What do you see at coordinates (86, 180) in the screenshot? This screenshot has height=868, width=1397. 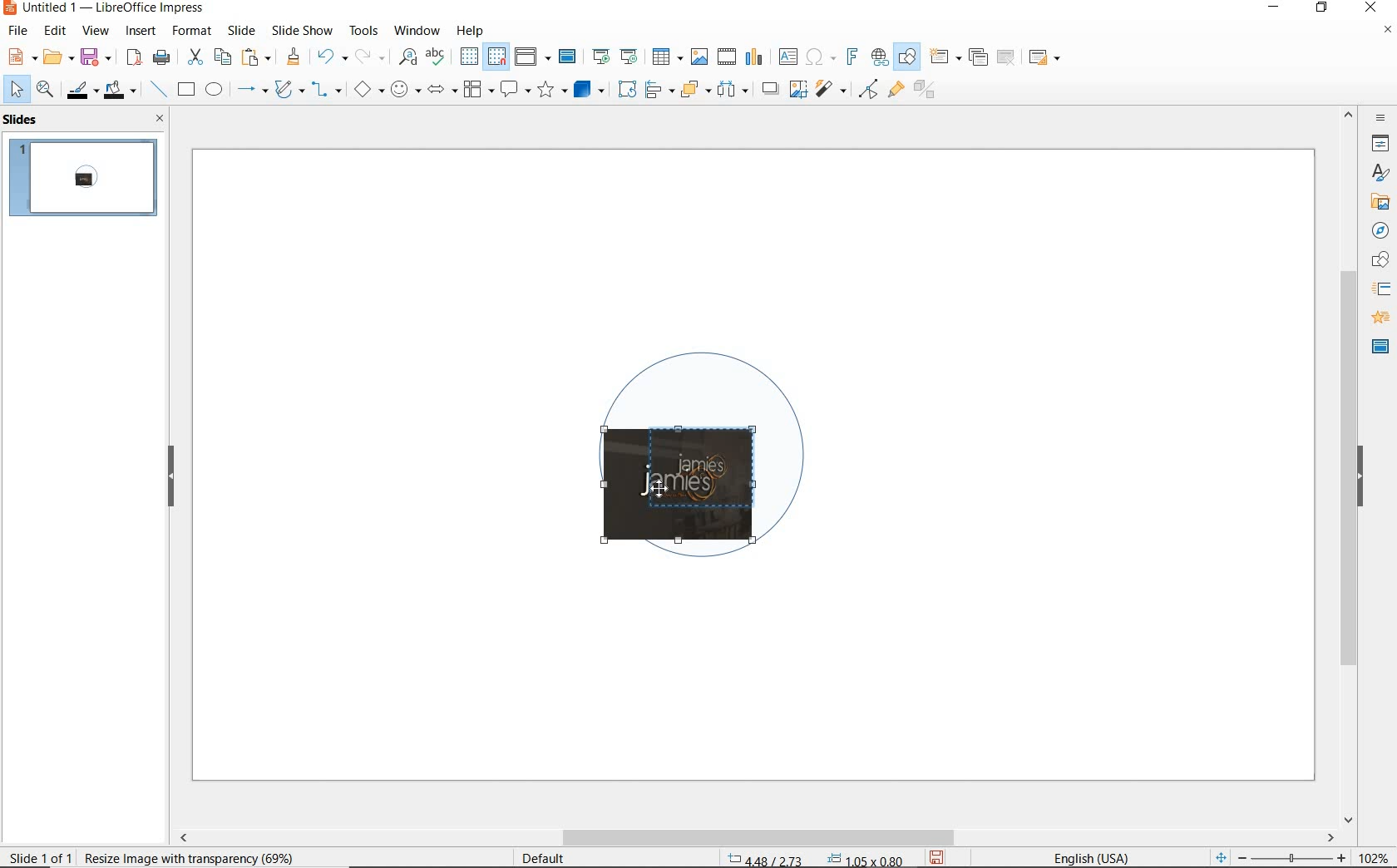 I see `slide 1` at bounding box center [86, 180].